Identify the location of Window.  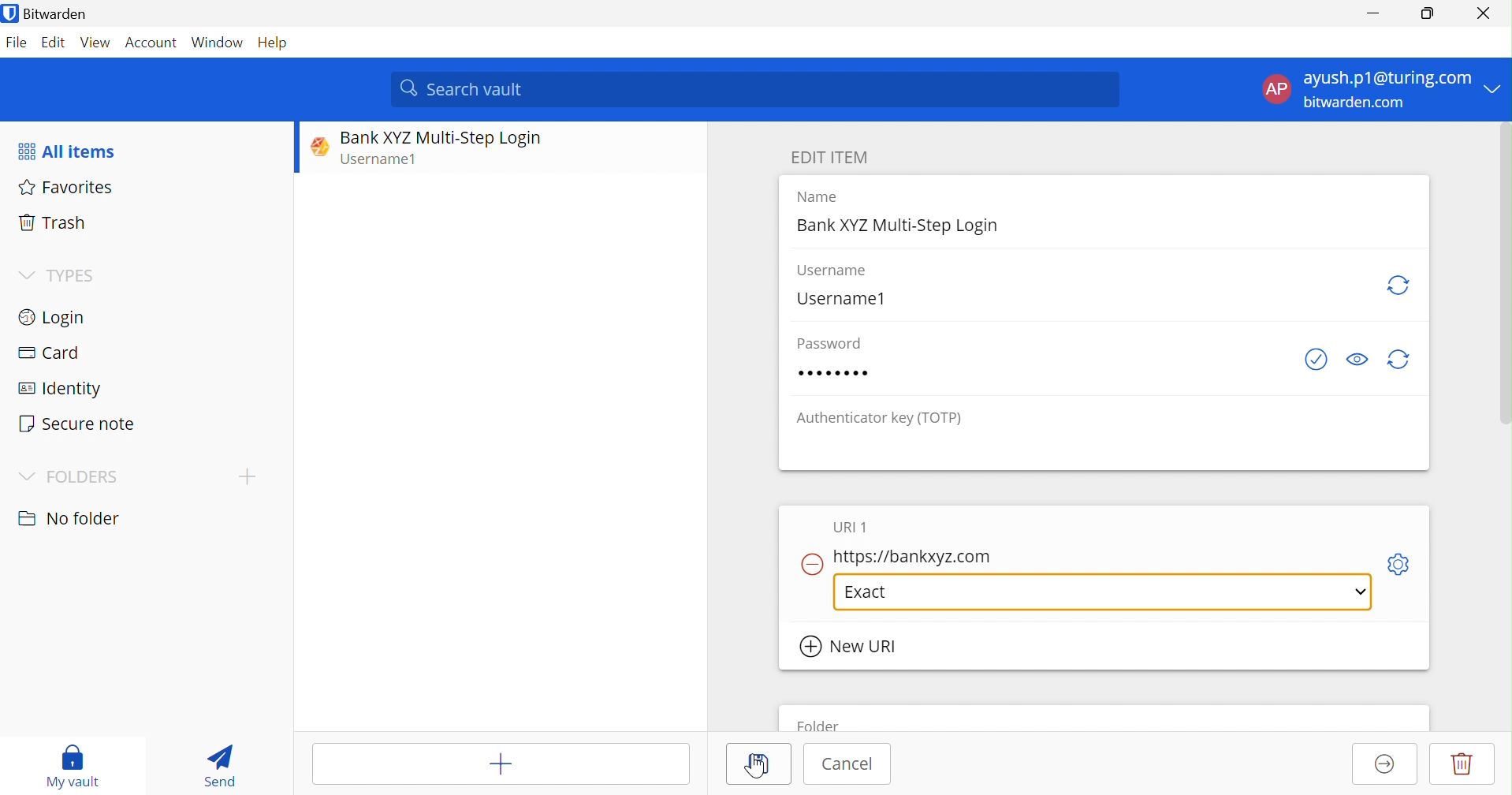
(218, 44).